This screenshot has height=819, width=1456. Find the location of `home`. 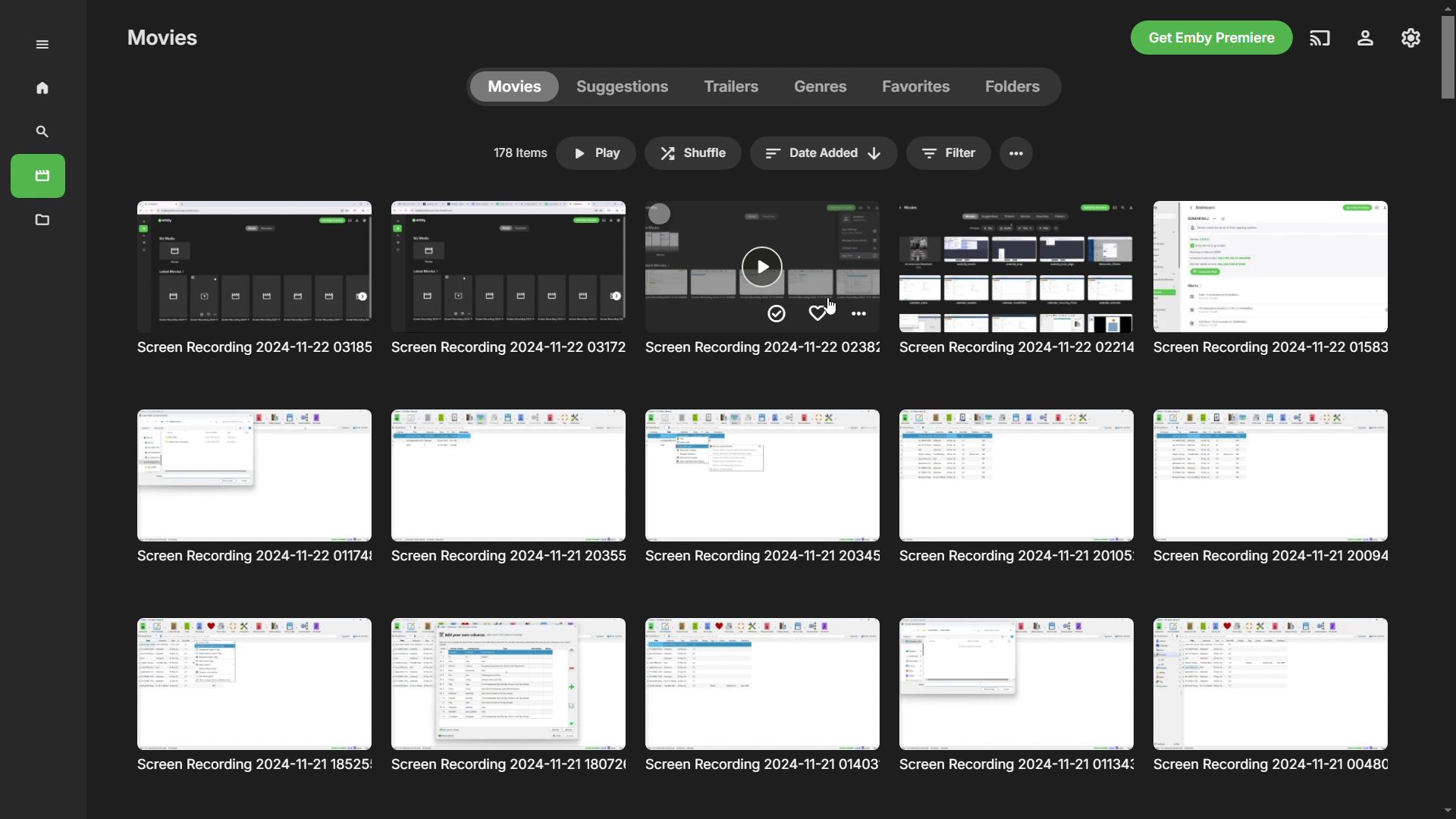

home is located at coordinates (39, 87).